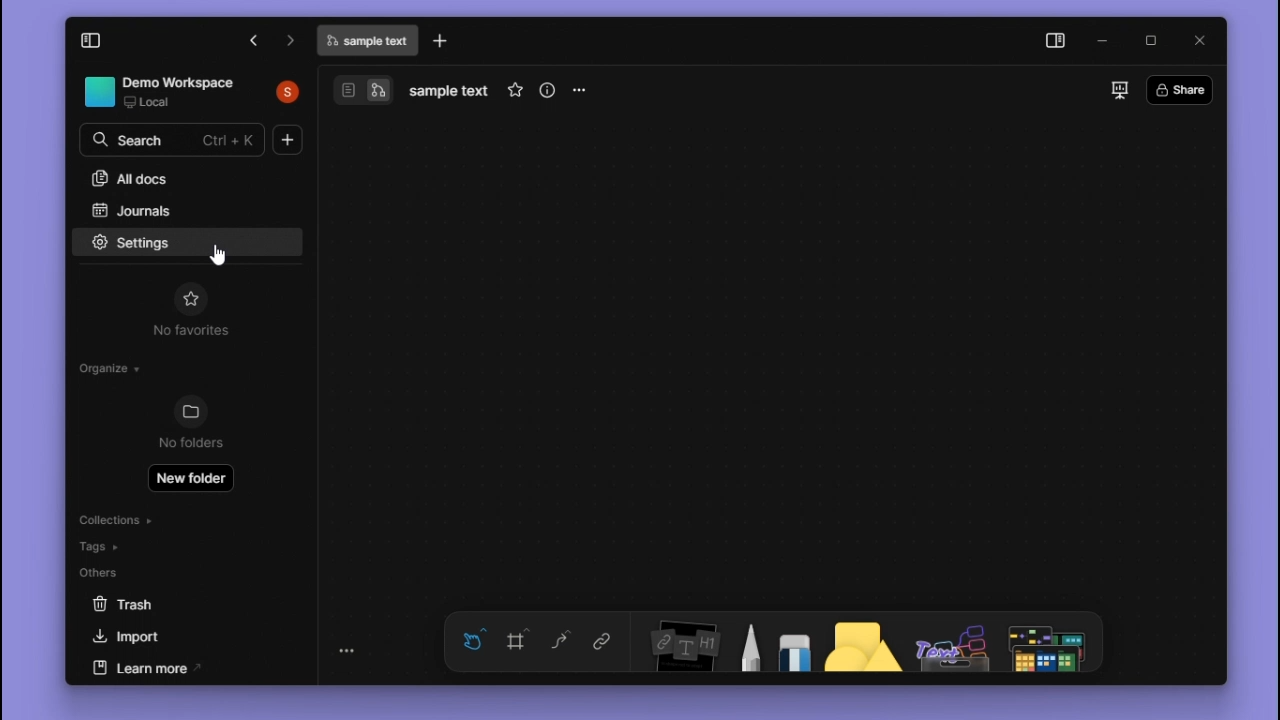  I want to click on favourites, so click(190, 297).